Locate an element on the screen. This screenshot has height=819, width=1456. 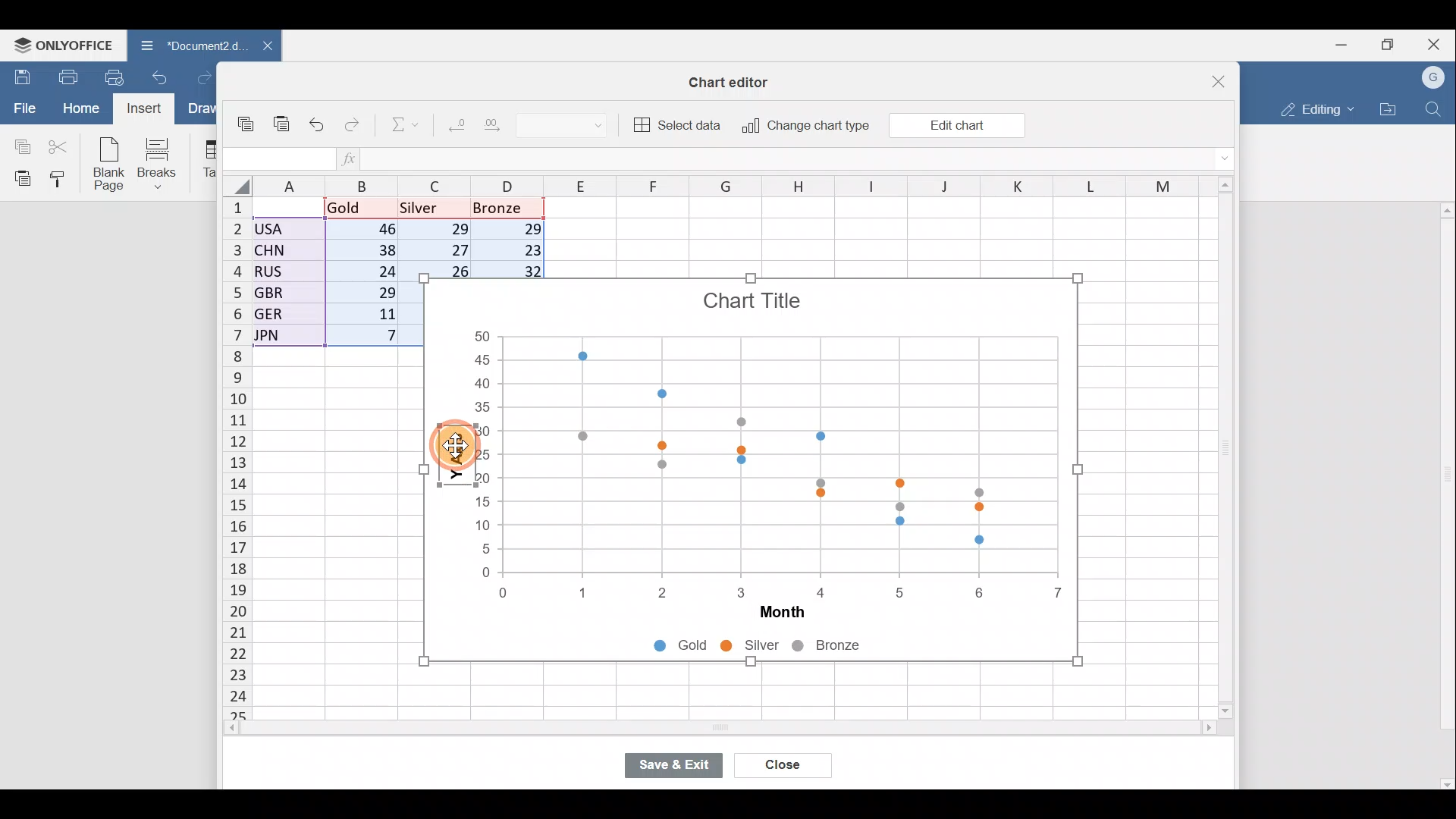
Copy style is located at coordinates (62, 180).